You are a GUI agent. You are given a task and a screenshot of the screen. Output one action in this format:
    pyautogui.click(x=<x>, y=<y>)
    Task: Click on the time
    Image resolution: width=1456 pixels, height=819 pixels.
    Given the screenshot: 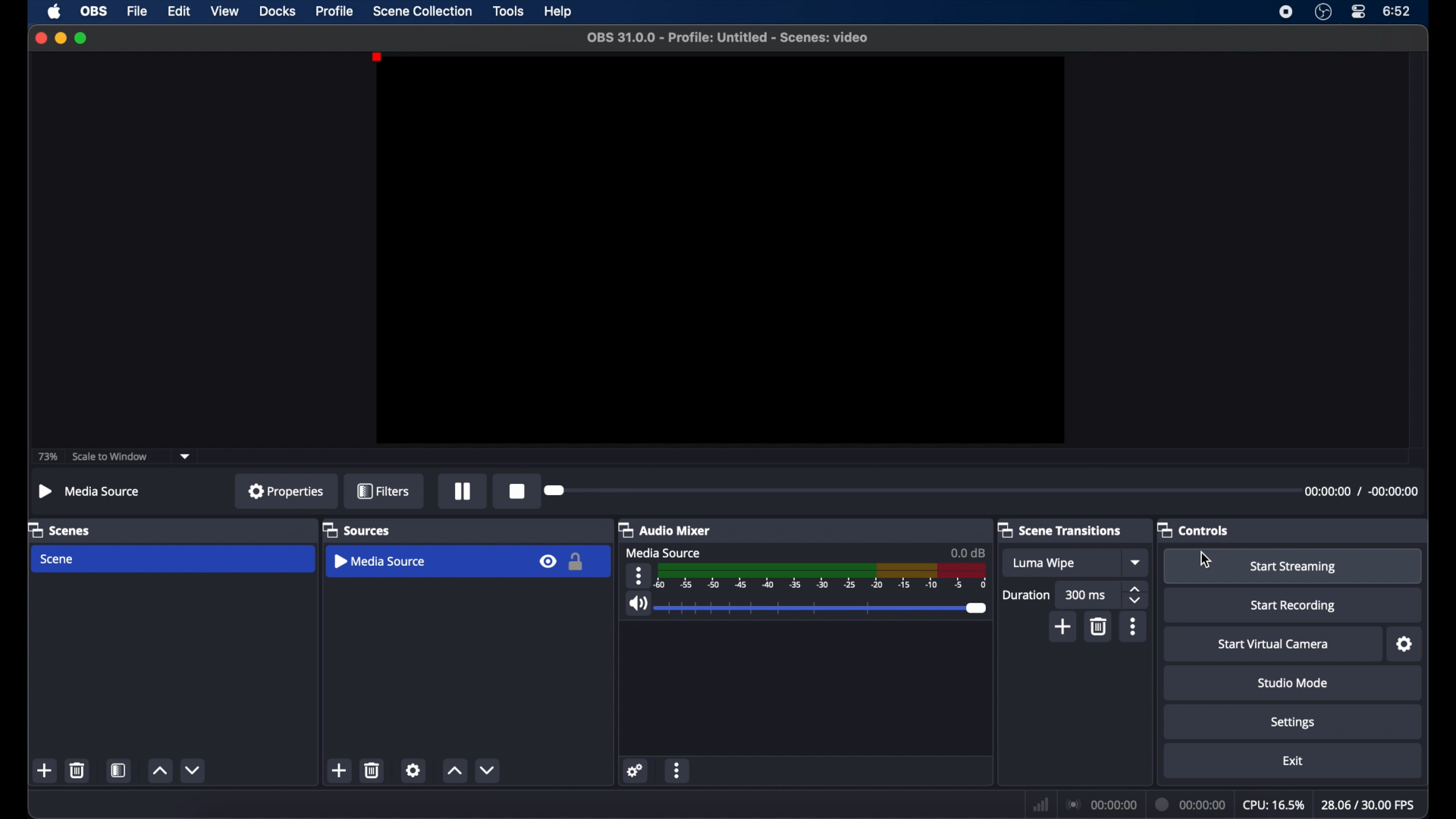 What is the action you would take?
    pyautogui.click(x=1398, y=12)
    